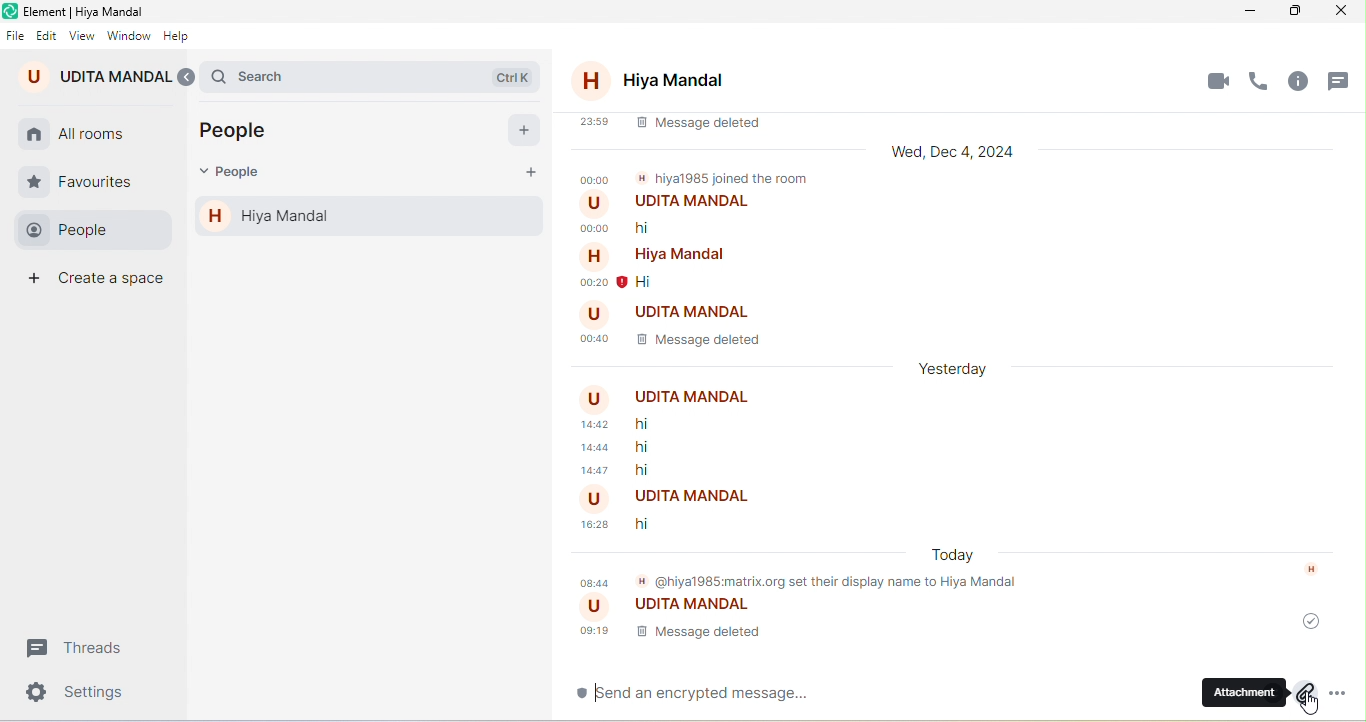 The height and width of the screenshot is (722, 1366). I want to click on User profile, so click(596, 500).